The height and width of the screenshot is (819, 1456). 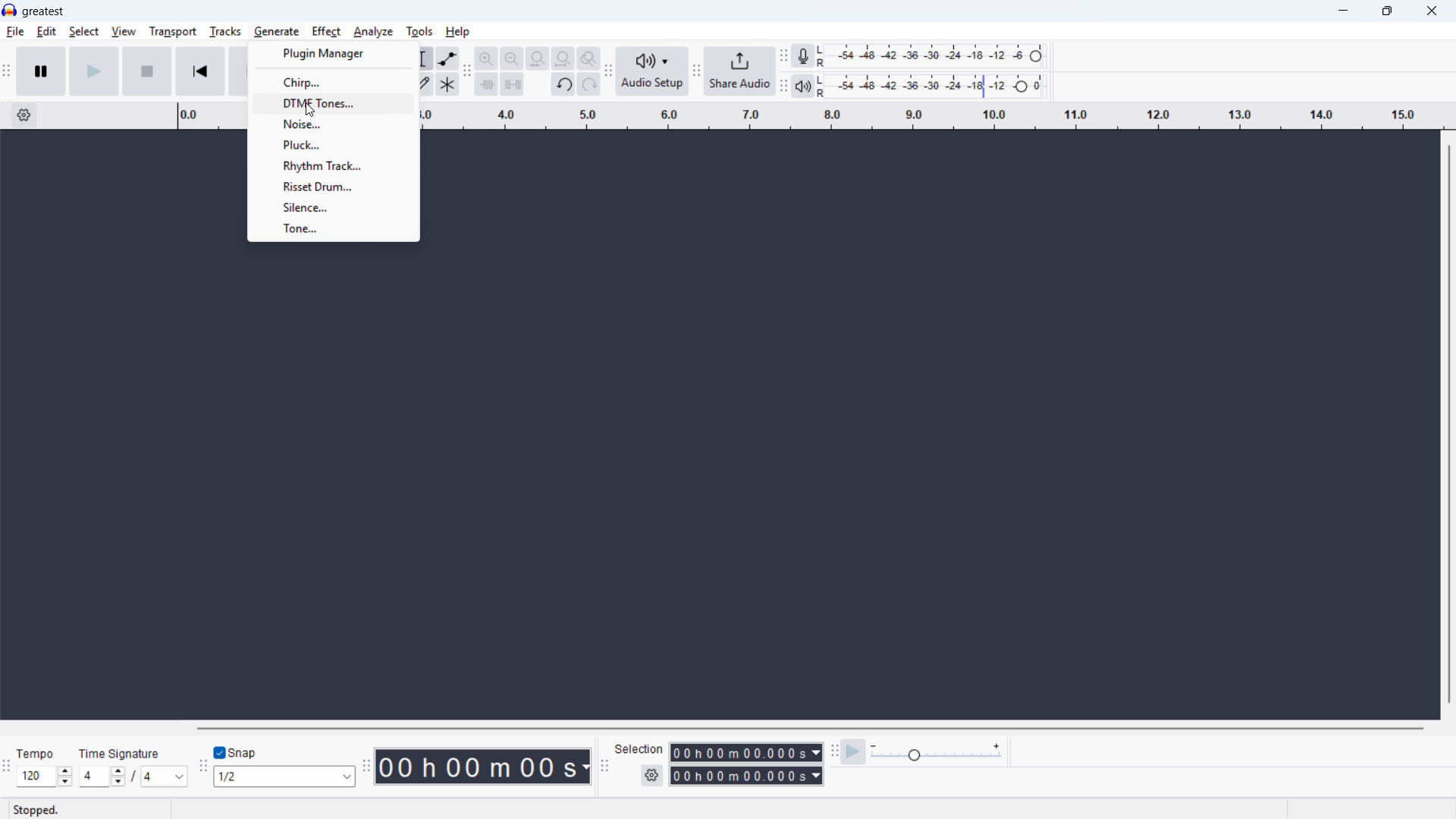 I want to click on minimise , so click(x=1341, y=11).